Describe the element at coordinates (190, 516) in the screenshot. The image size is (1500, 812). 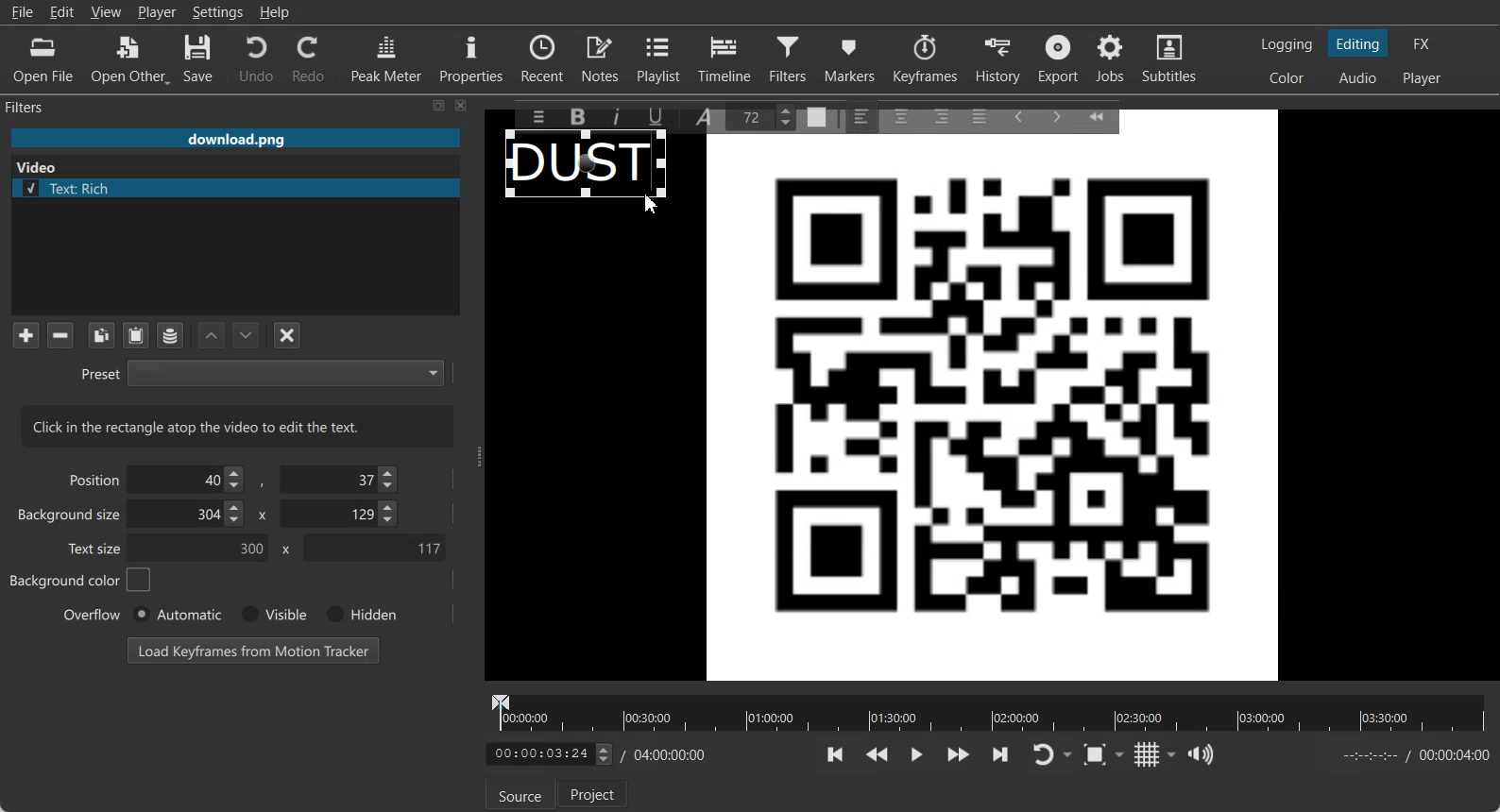
I see `Background size X- Coordinate` at that location.